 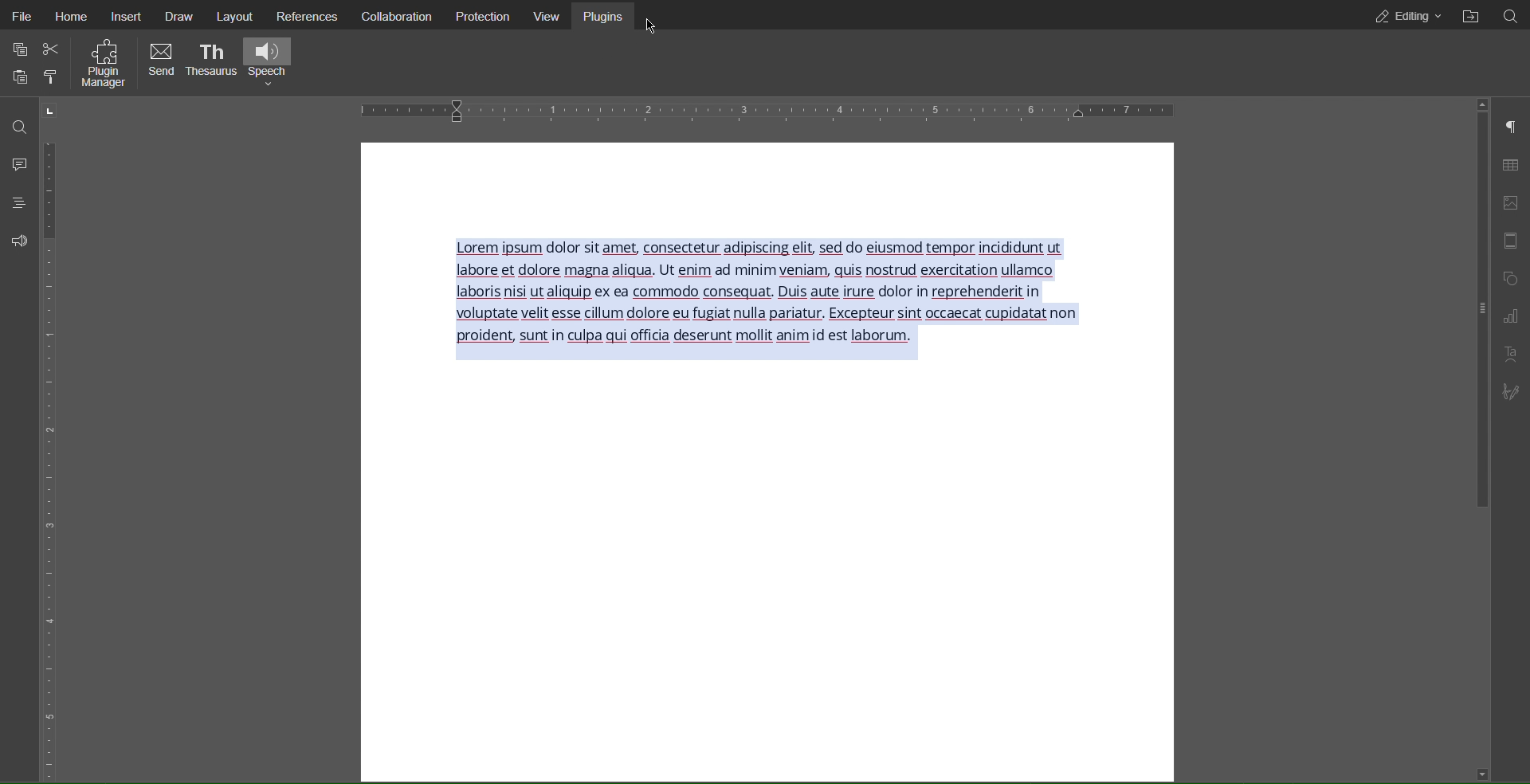 I want to click on Paragraph Settings, so click(x=1512, y=126).